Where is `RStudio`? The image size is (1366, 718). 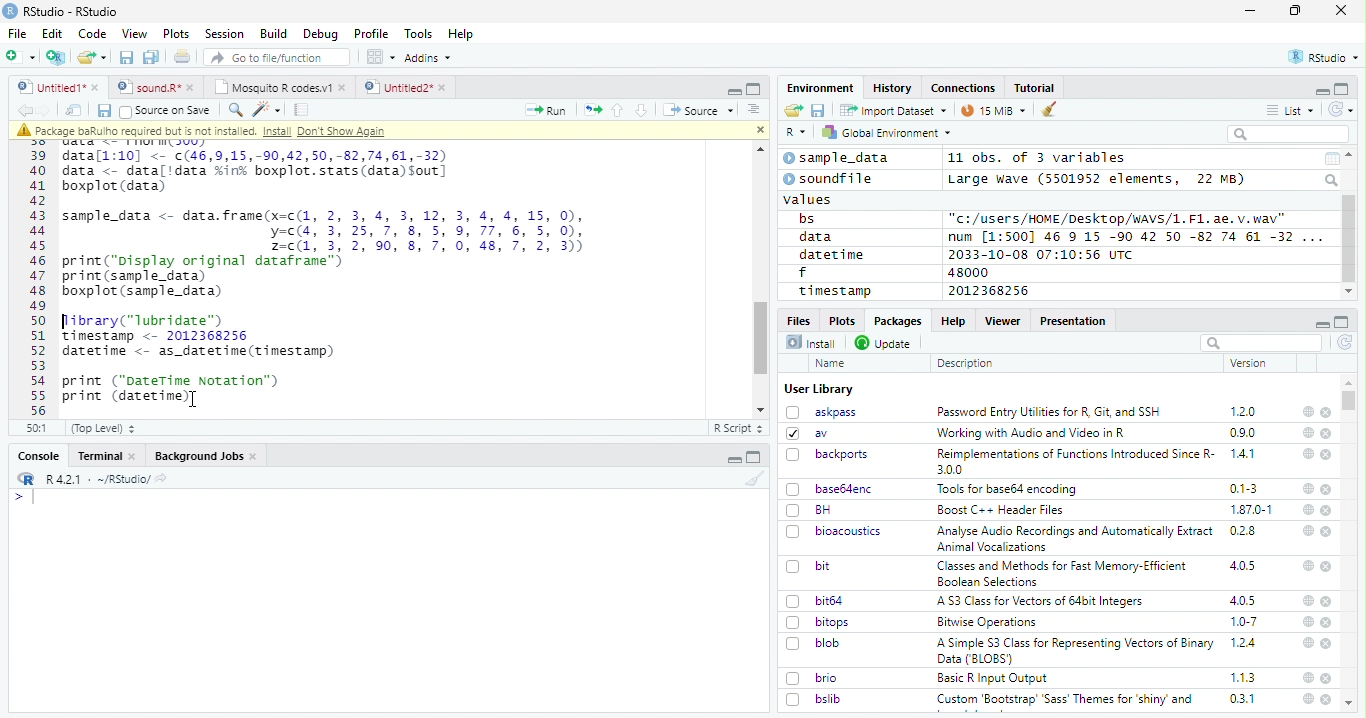 RStudio is located at coordinates (1325, 58).